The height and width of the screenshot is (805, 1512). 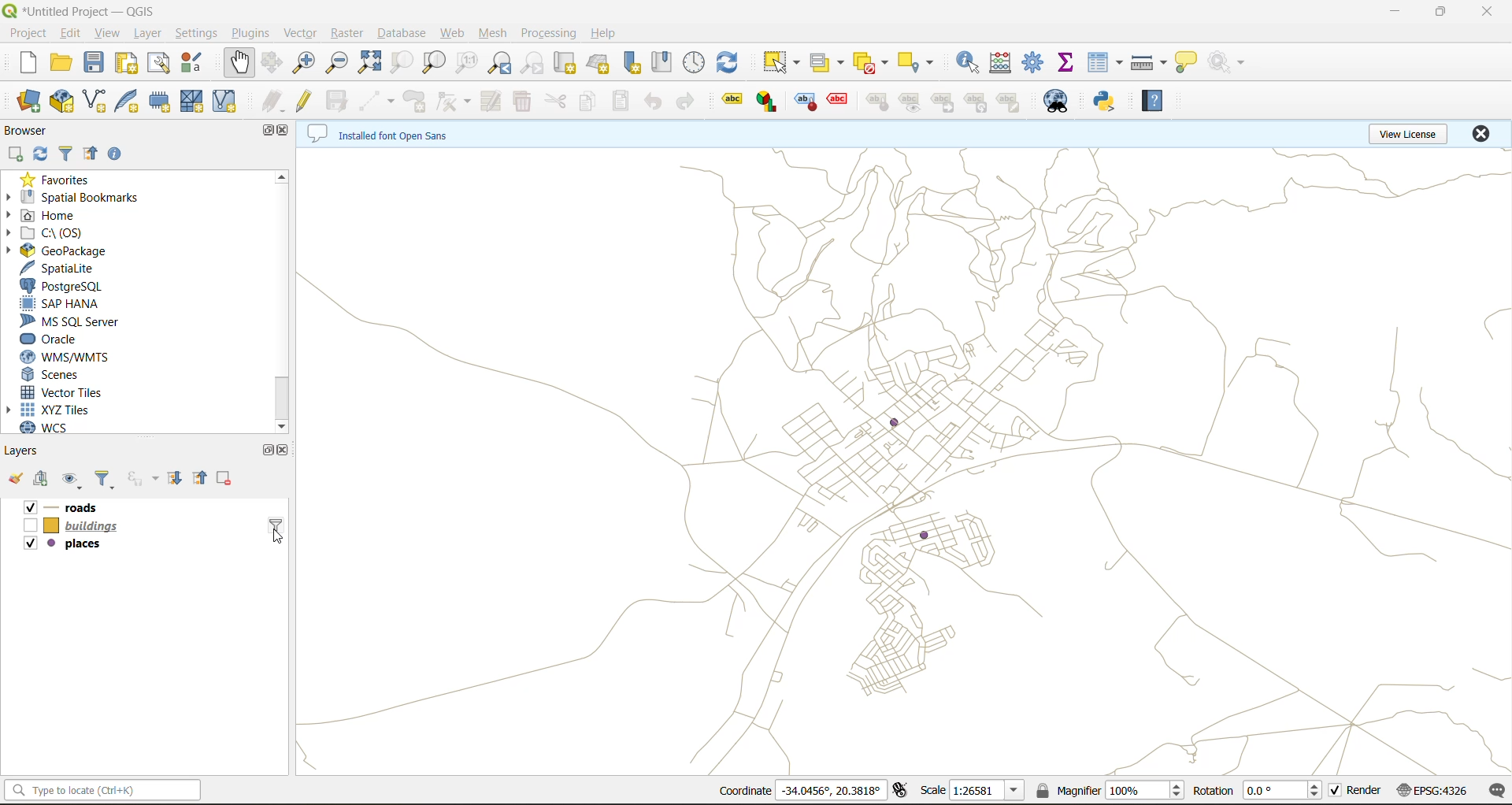 I want to click on Label Placement, so click(x=879, y=101).